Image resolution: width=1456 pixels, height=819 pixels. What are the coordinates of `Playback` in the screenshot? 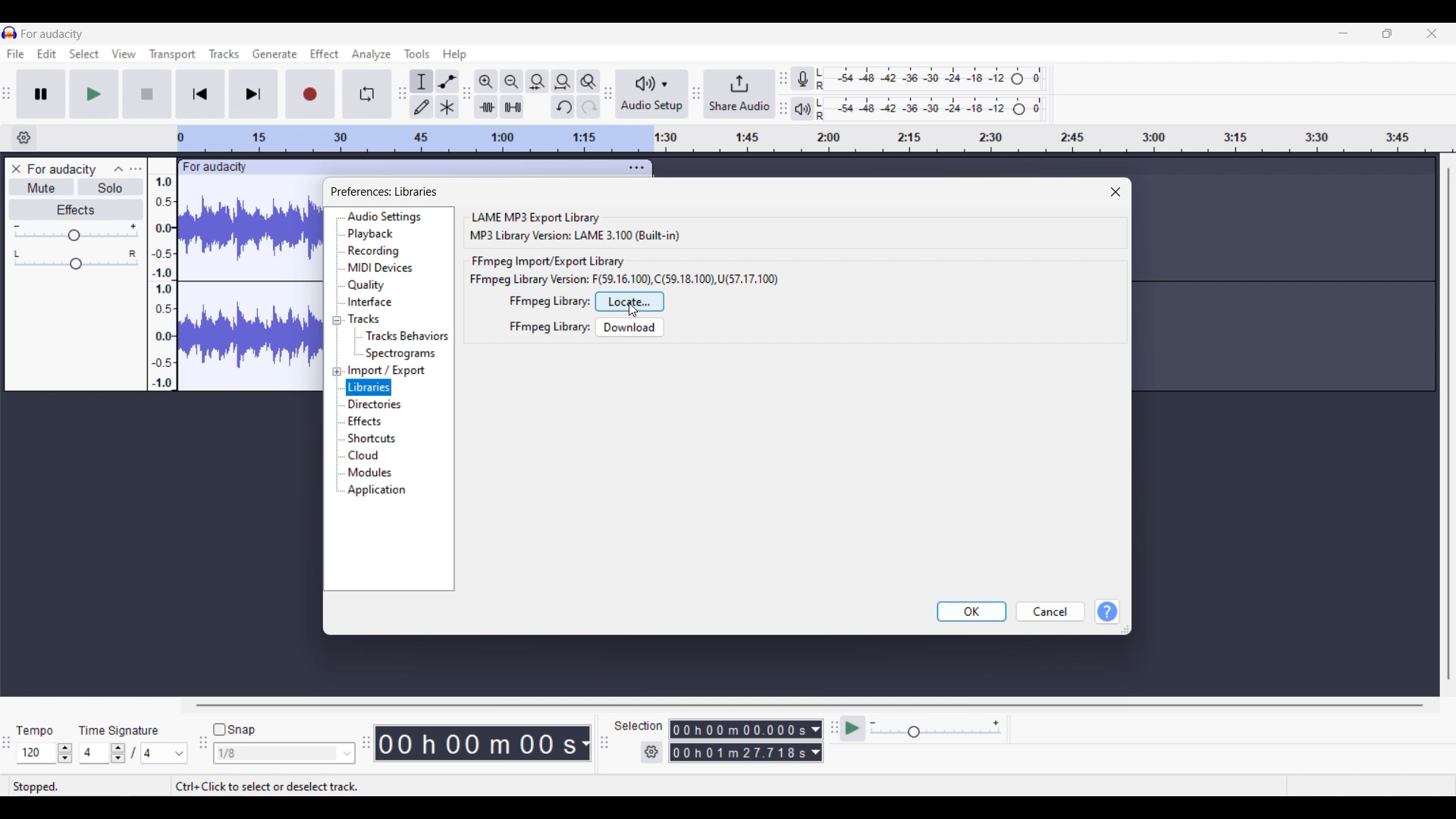 It's located at (377, 234).